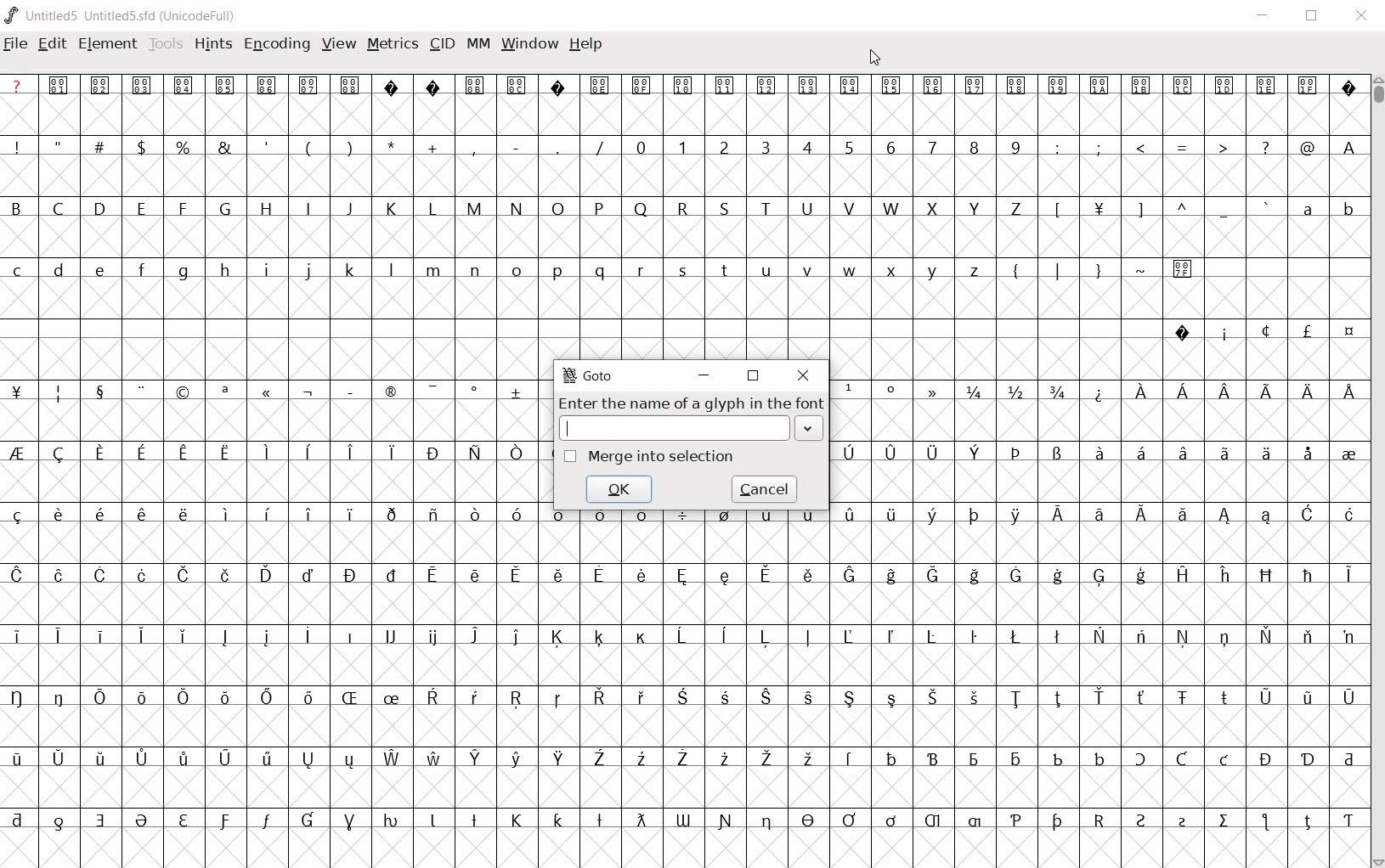 The image size is (1385, 868). What do you see at coordinates (1183, 395) in the screenshot?
I see `Symbol` at bounding box center [1183, 395].